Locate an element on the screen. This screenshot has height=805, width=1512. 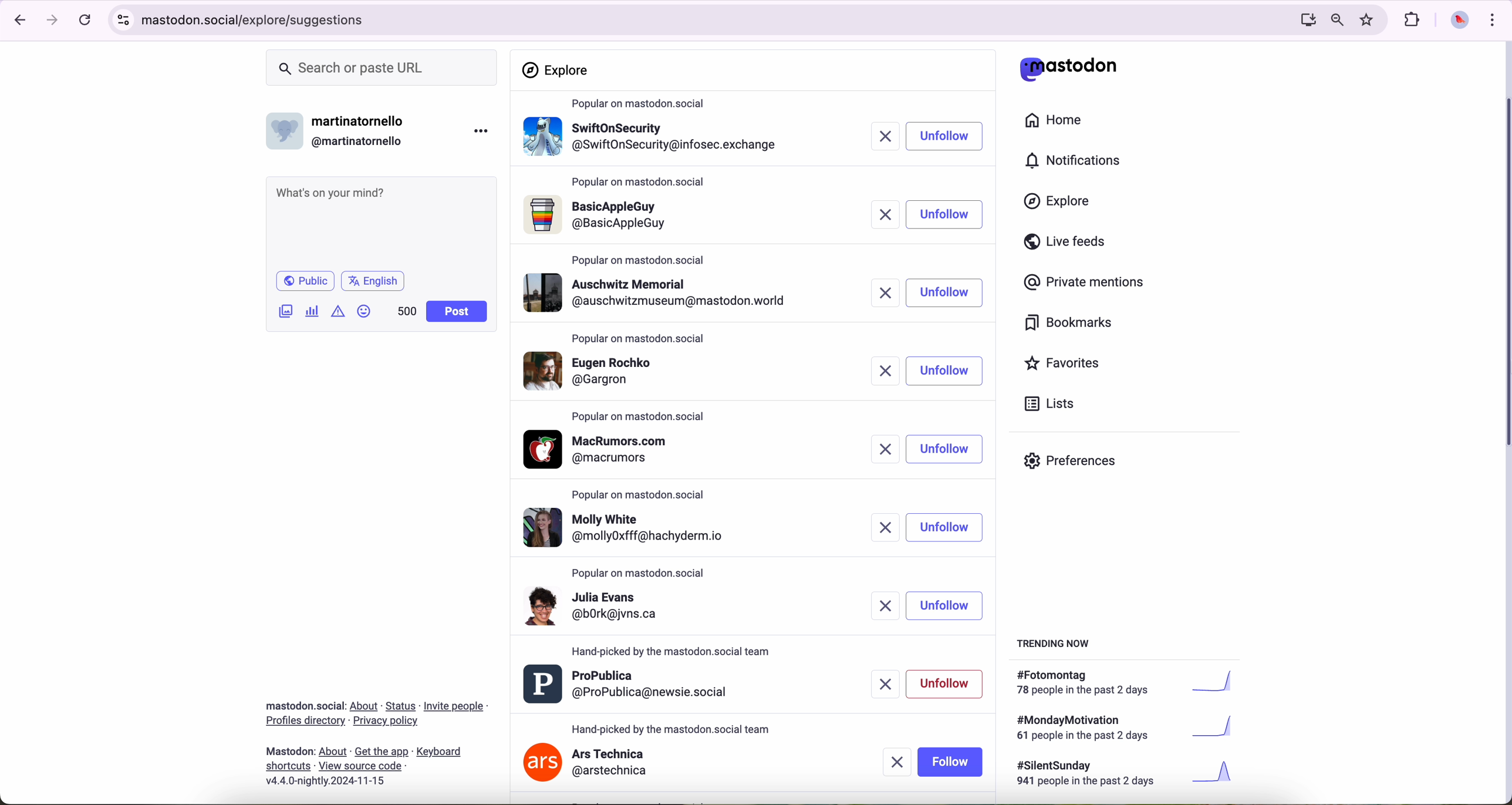
extensions is located at coordinates (1413, 20).